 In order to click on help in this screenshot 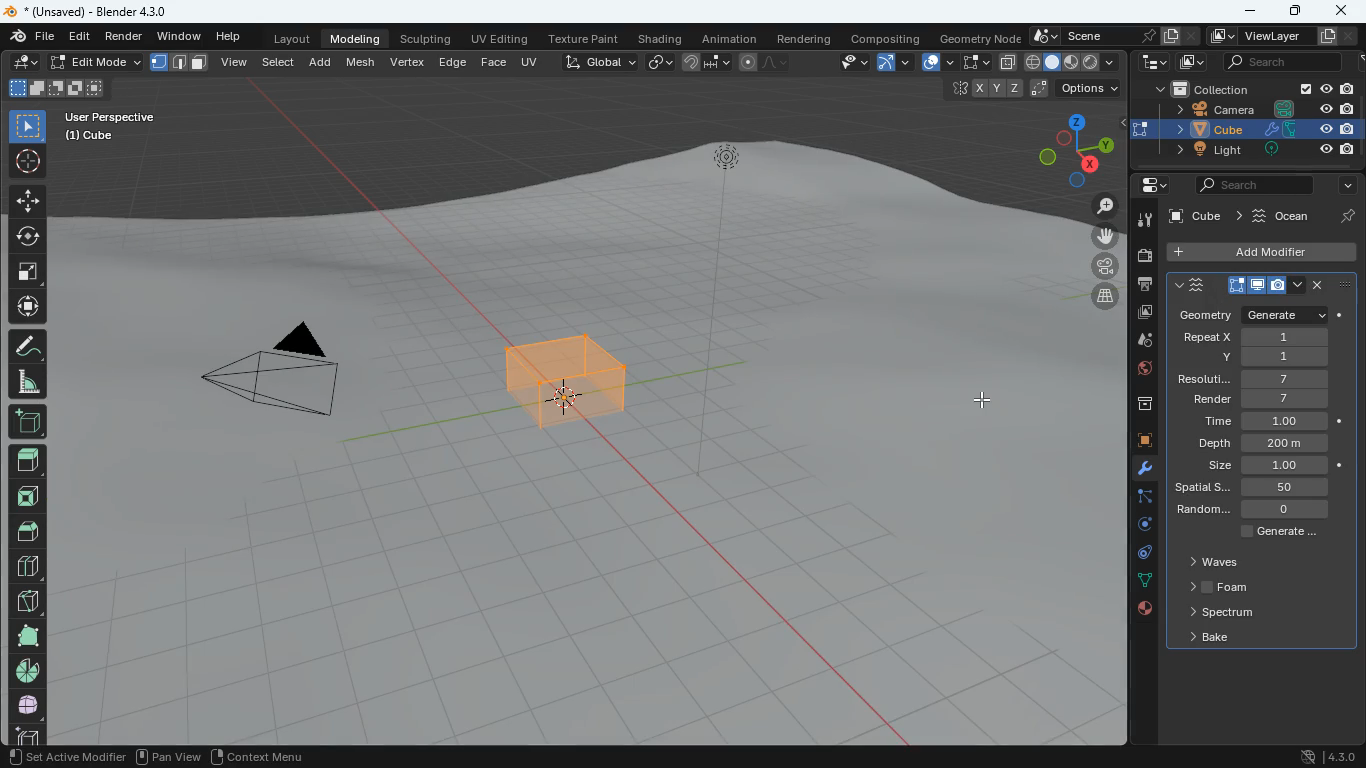, I will do `click(231, 33)`.